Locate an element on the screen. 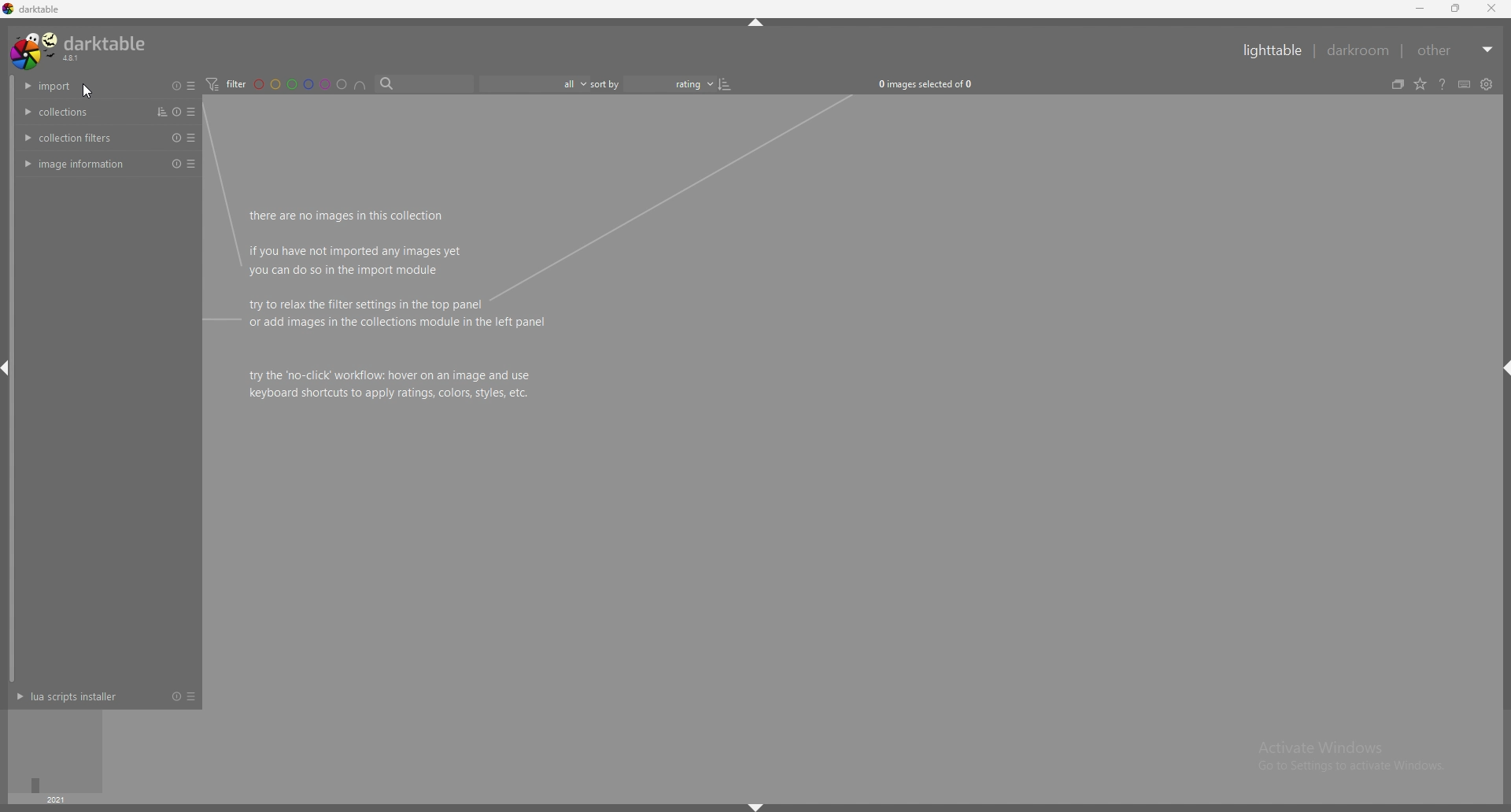 The height and width of the screenshot is (812, 1511). image information is located at coordinates (77, 164).